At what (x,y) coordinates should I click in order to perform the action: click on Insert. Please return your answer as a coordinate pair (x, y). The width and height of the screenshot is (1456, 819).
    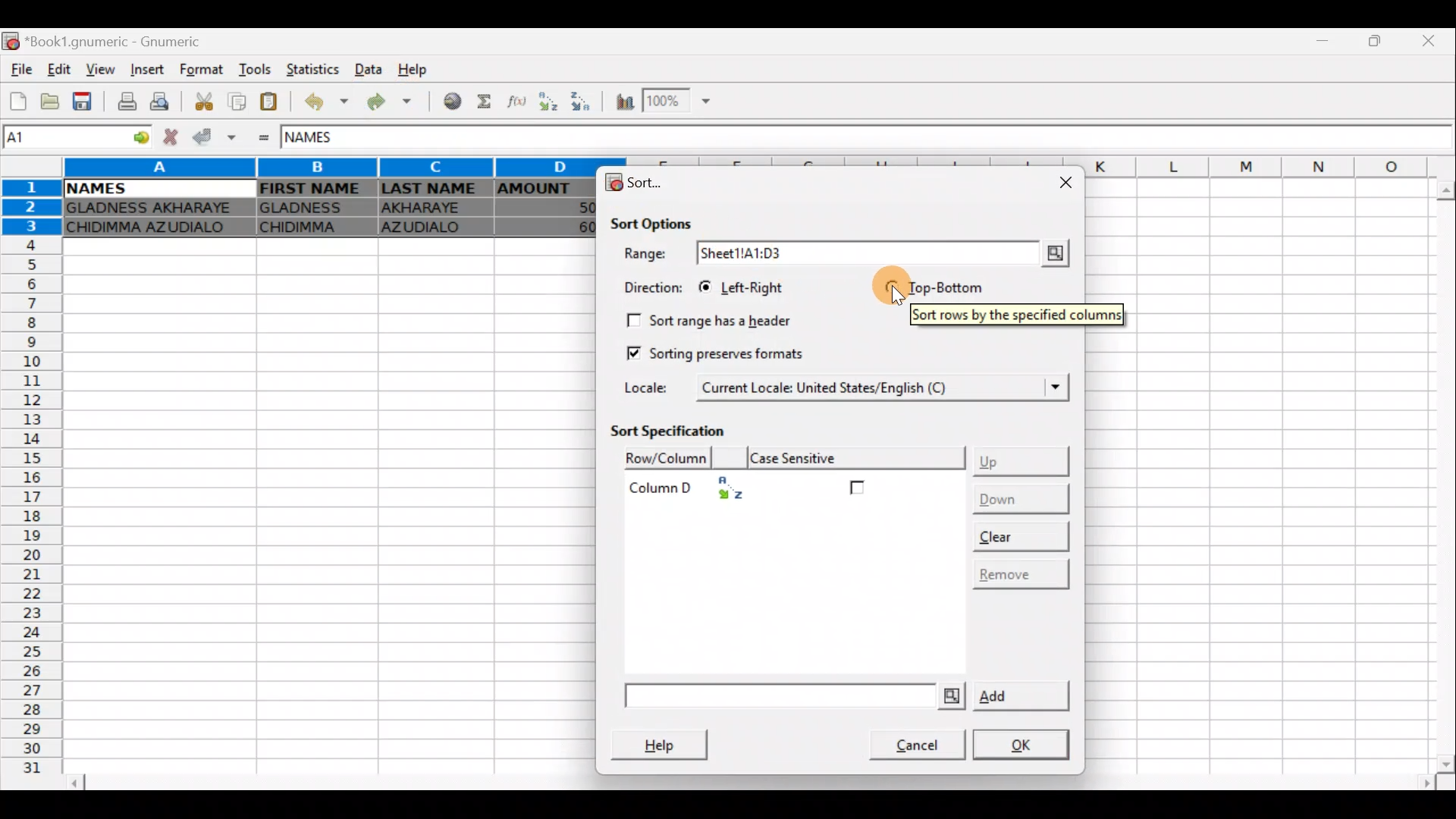
    Looking at the image, I should click on (150, 69).